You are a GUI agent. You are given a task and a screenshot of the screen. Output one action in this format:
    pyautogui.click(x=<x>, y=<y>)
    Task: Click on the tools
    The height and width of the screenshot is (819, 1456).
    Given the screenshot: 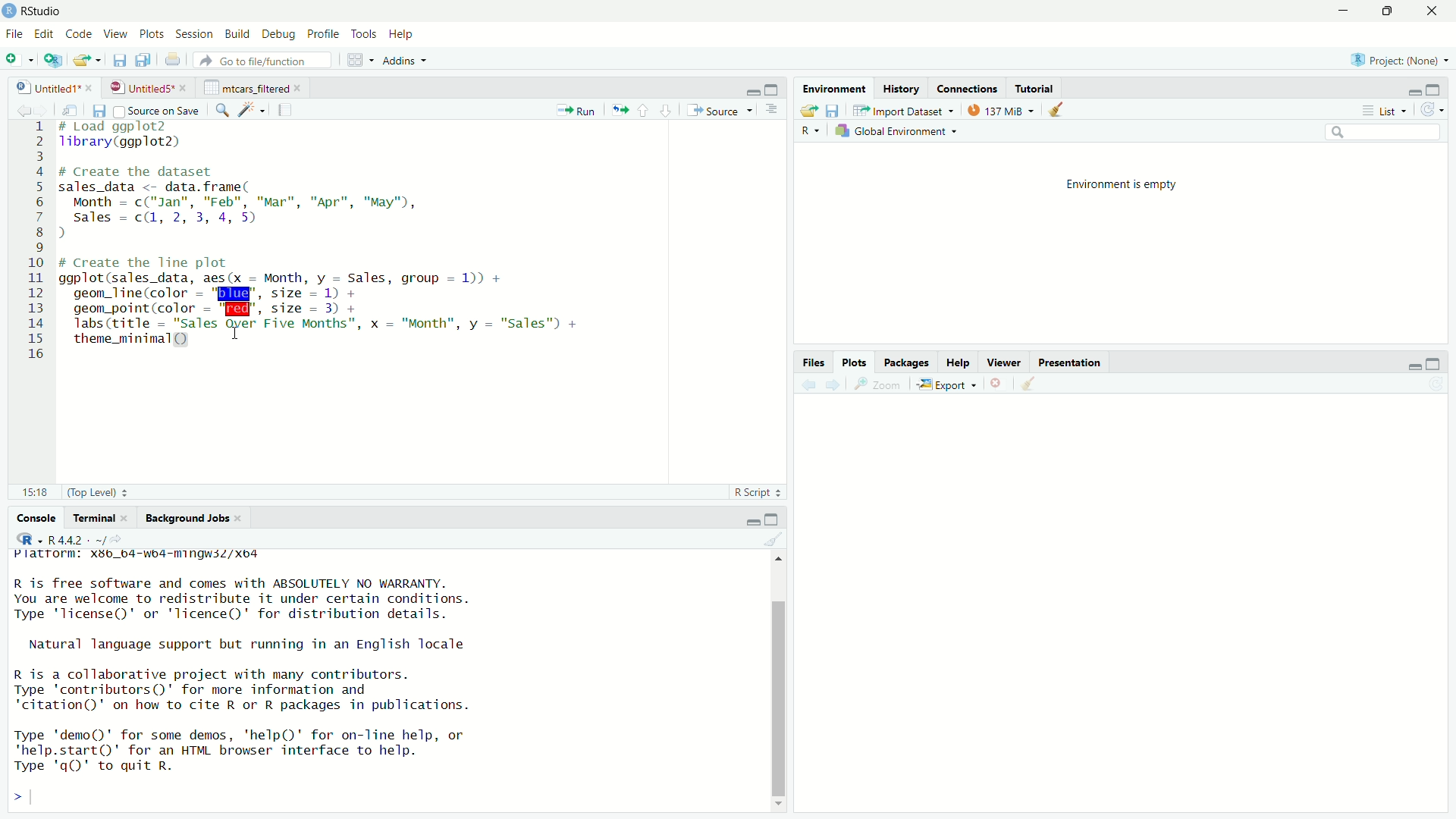 What is the action you would take?
    pyautogui.click(x=366, y=35)
    